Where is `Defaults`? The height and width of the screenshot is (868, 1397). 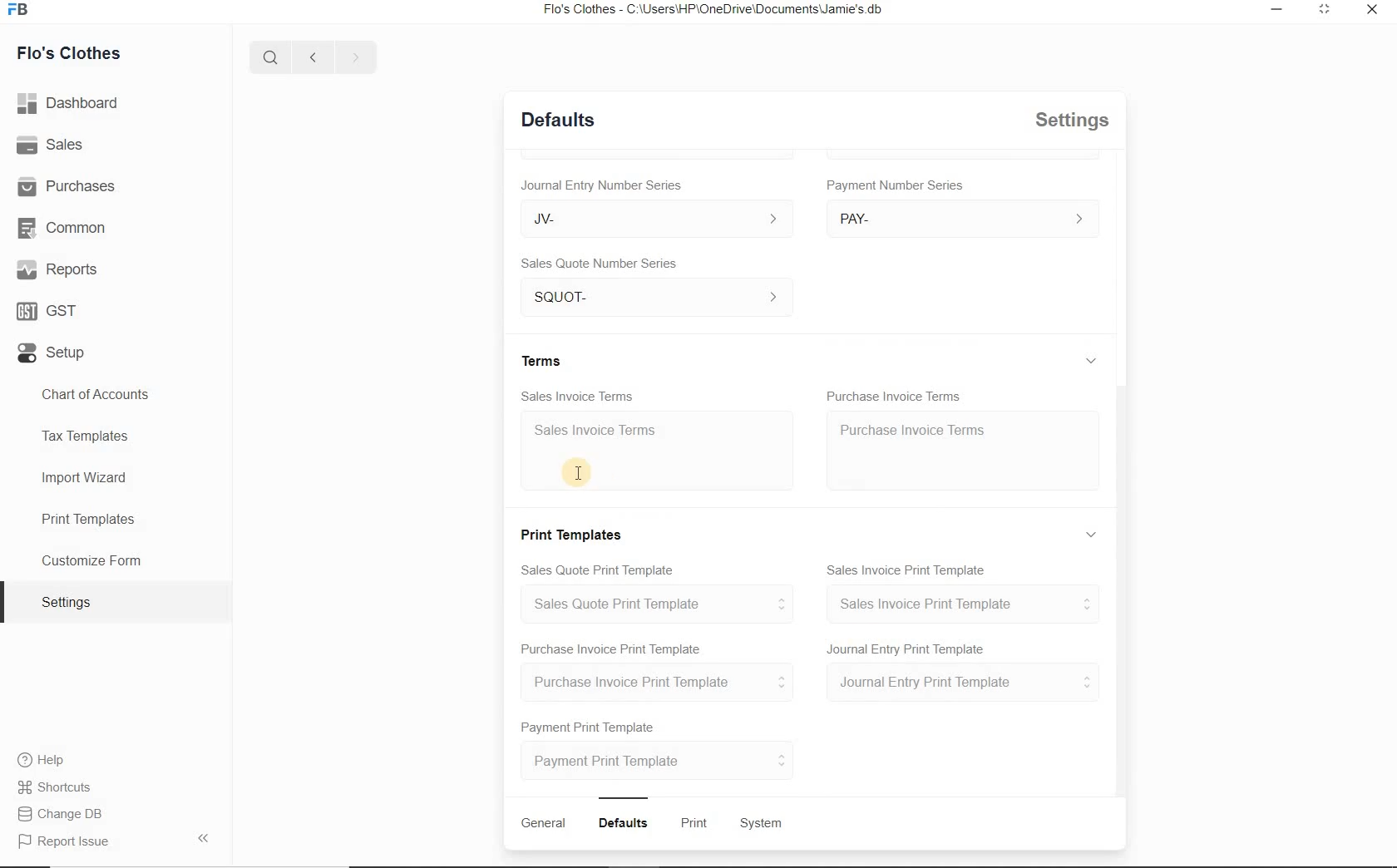
Defaults is located at coordinates (558, 119).